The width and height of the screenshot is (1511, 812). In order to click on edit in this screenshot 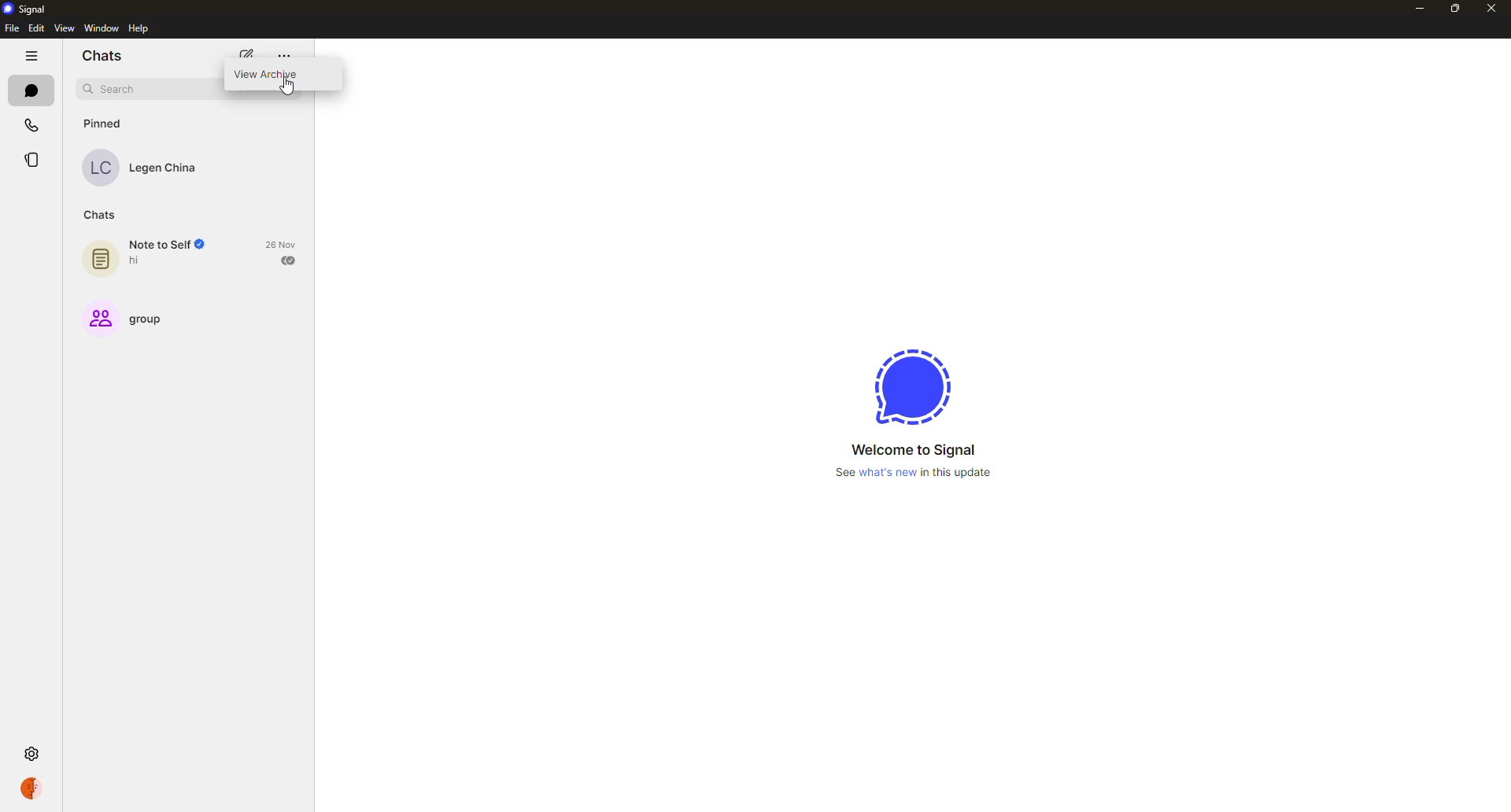, I will do `click(37, 28)`.